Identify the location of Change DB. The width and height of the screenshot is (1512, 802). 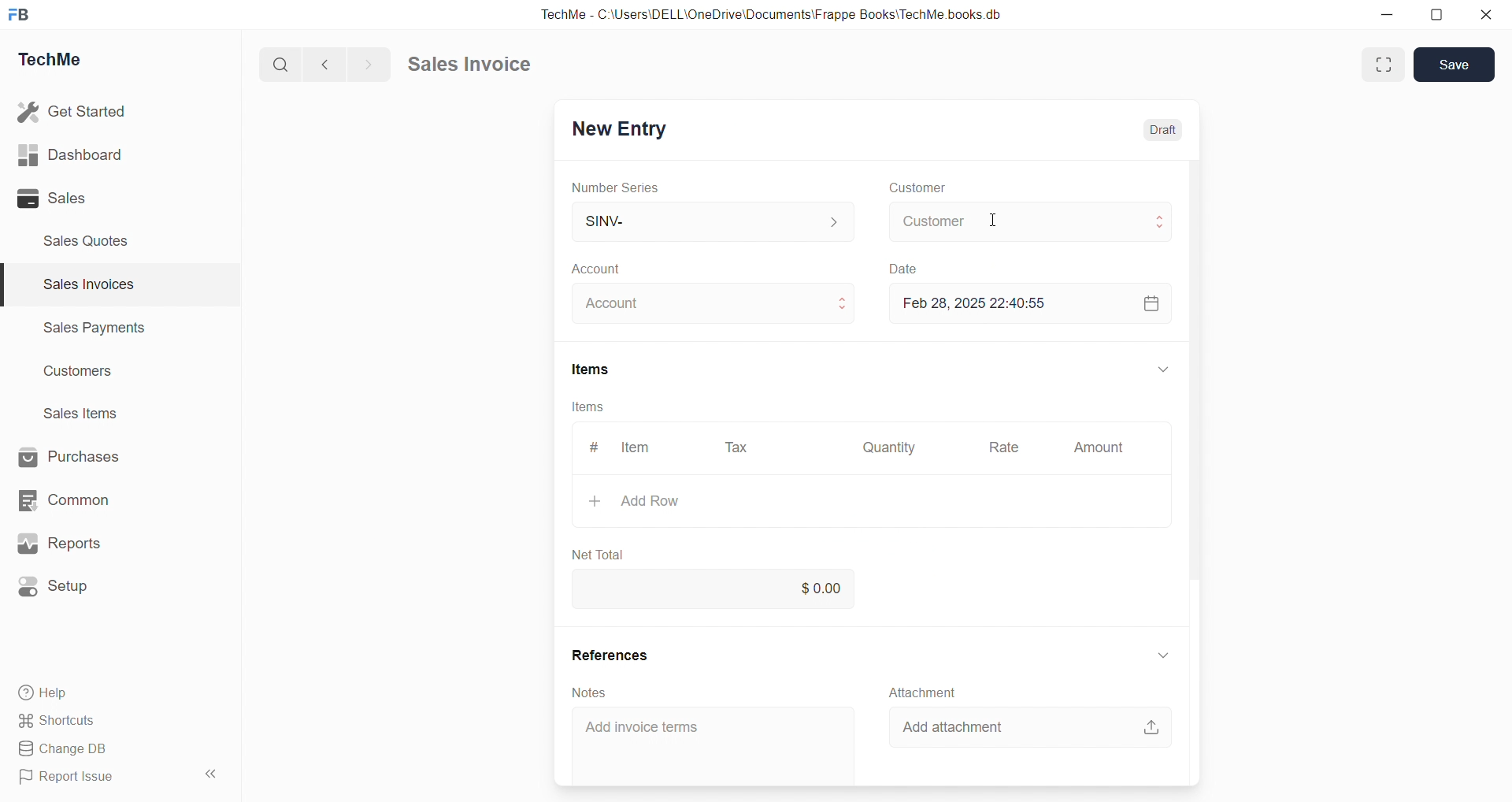
(69, 749).